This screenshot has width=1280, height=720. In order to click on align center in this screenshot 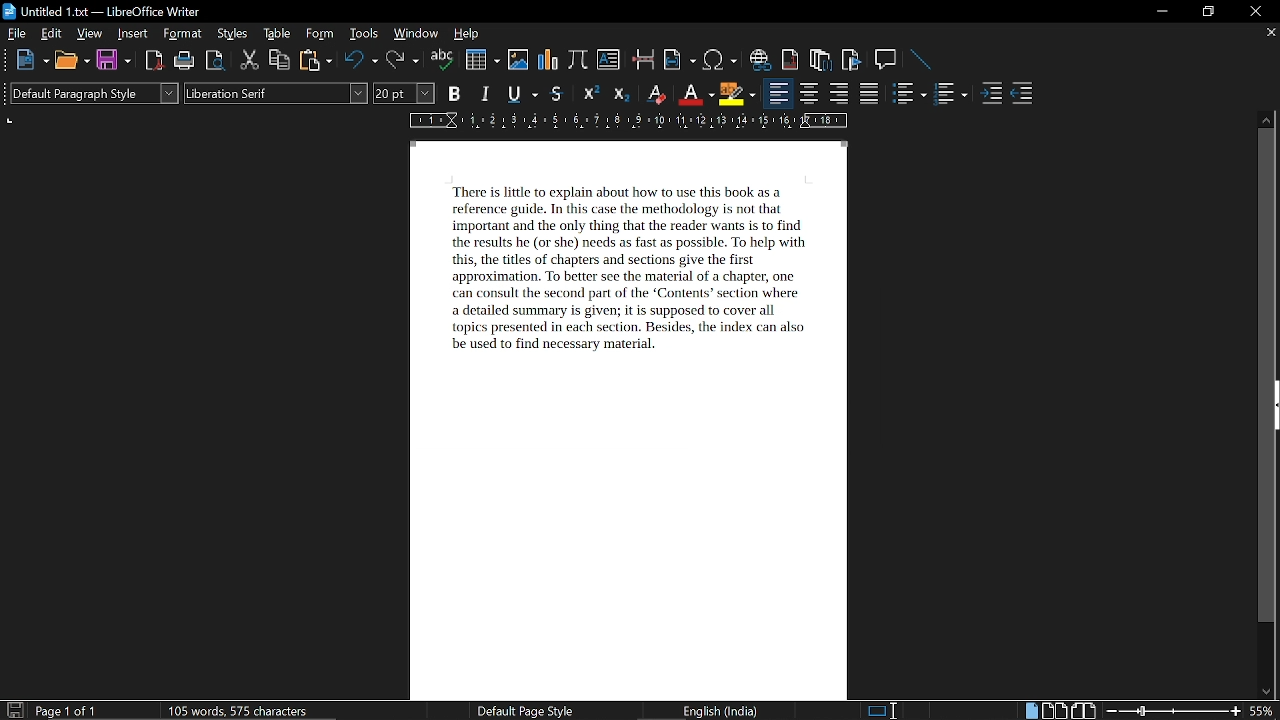, I will do `click(809, 94)`.